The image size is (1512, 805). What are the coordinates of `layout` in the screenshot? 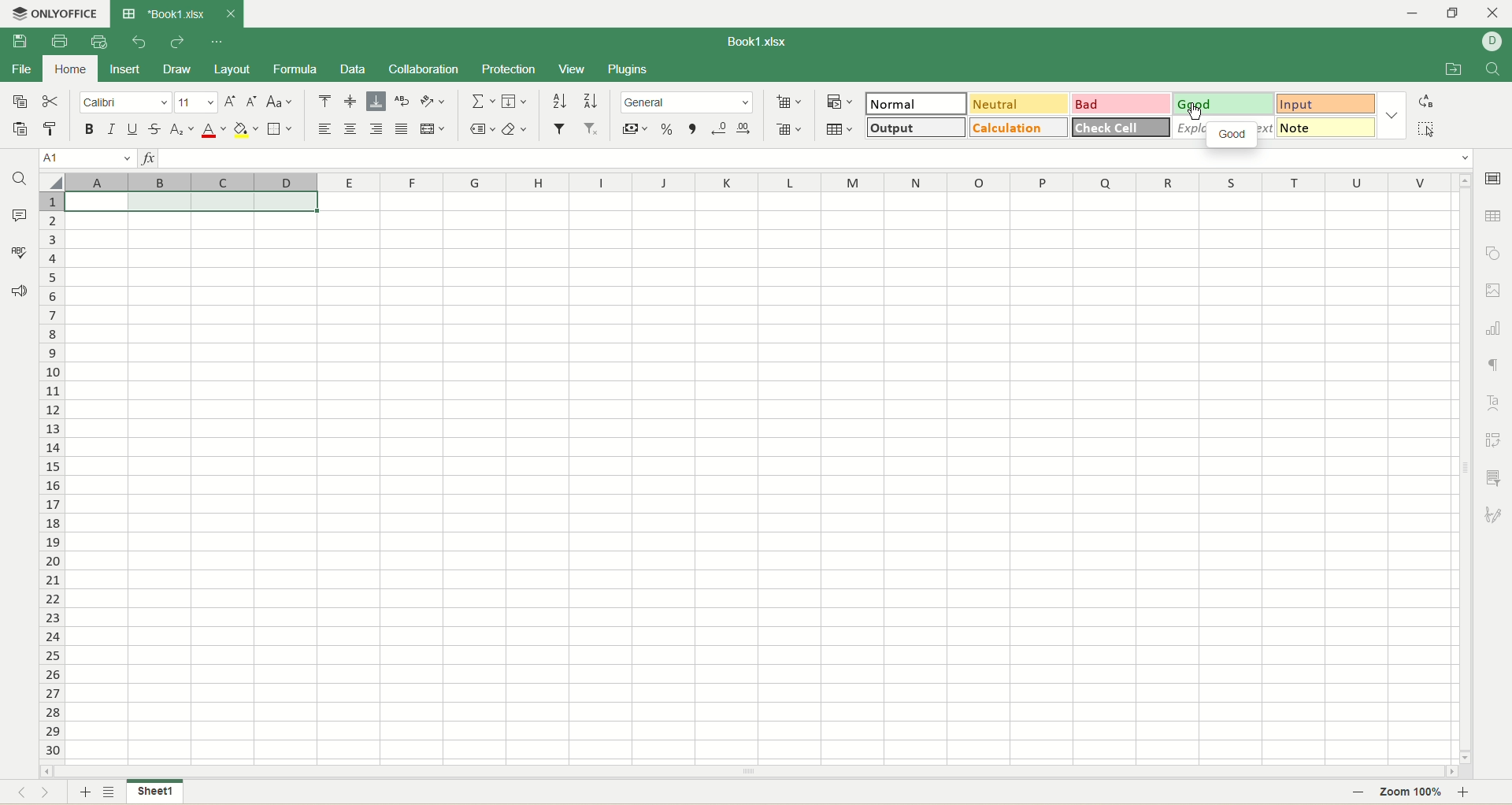 It's located at (232, 68).